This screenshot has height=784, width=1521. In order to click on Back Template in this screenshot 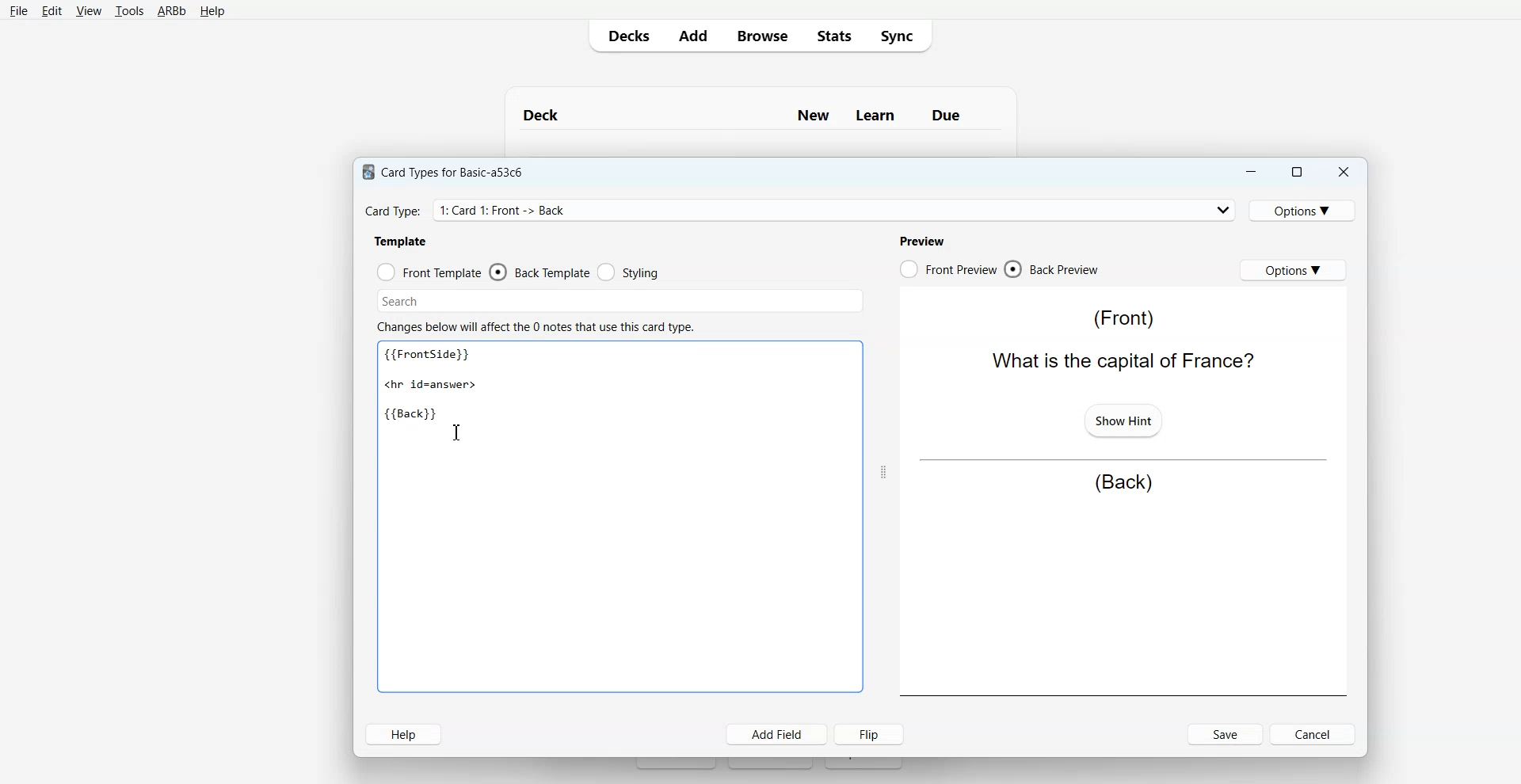, I will do `click(539, 272)`.